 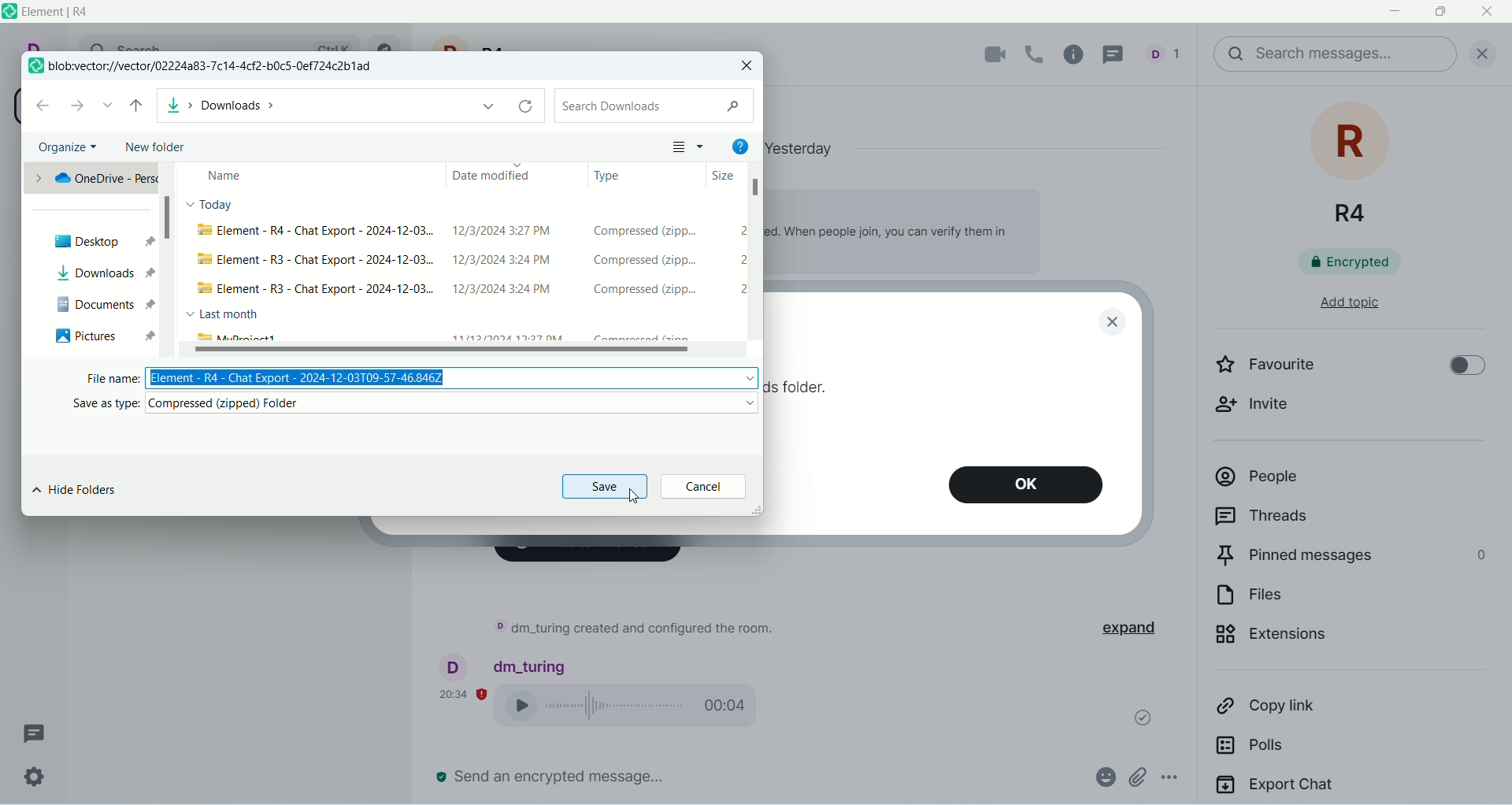 What do you see at coordinates (171, 258) in the screenshot?
I see `vertical scroll bar` at bounding box center [171, 258].